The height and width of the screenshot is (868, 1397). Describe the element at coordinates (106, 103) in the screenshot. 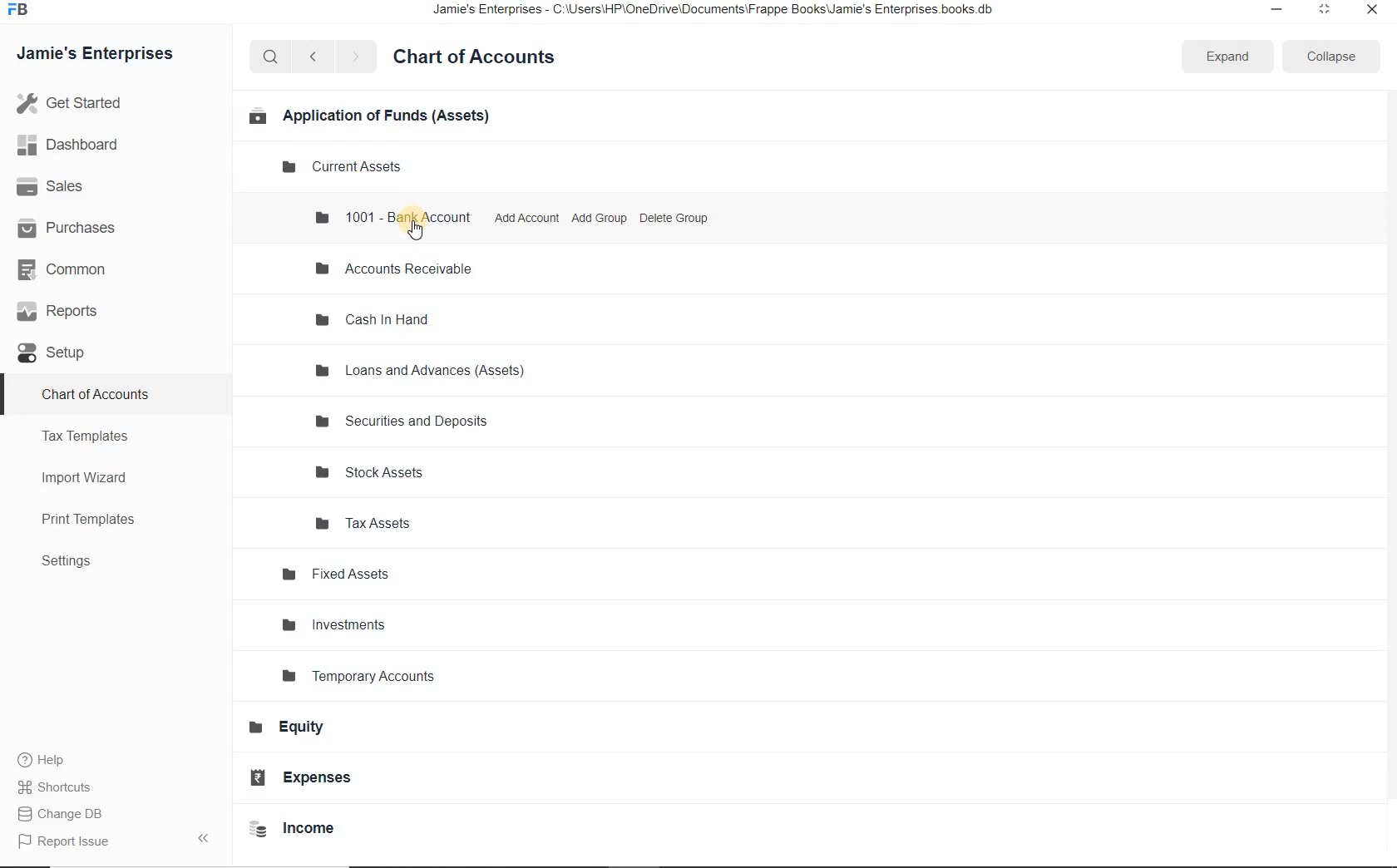

I see `Get Started` at that location.